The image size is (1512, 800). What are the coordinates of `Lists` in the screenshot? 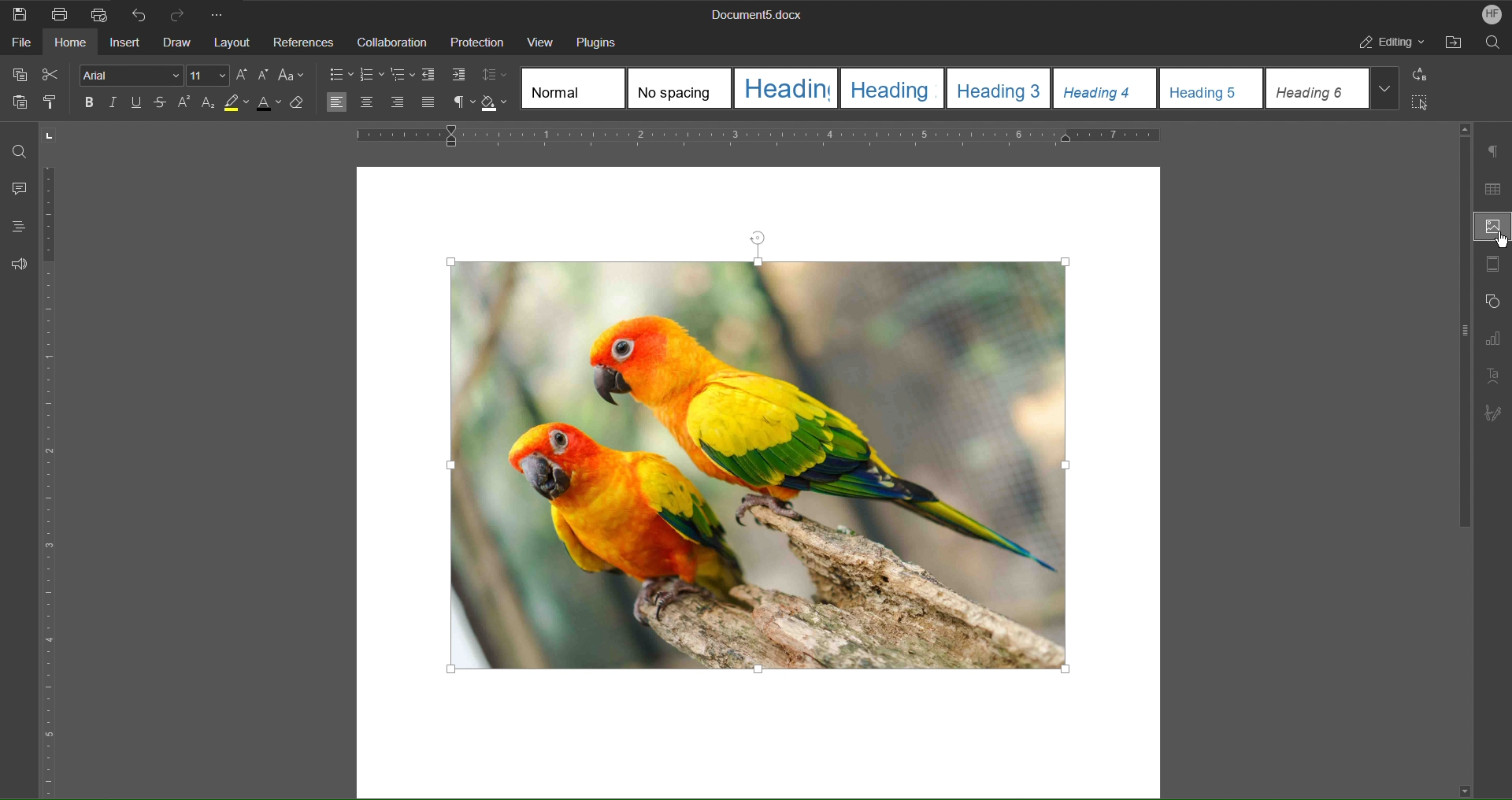 It's located at (372, 74).